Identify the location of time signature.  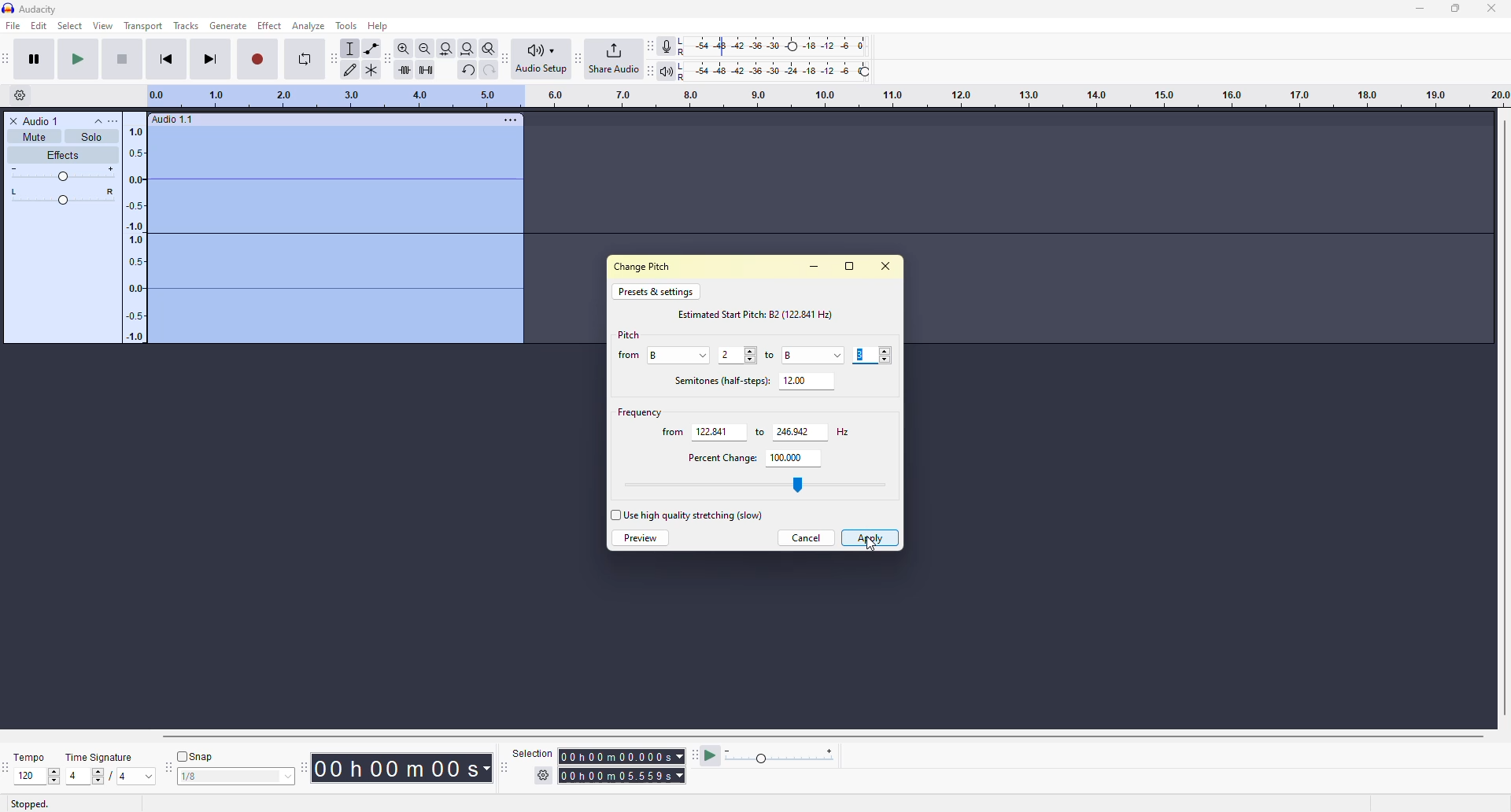
(101, 757).